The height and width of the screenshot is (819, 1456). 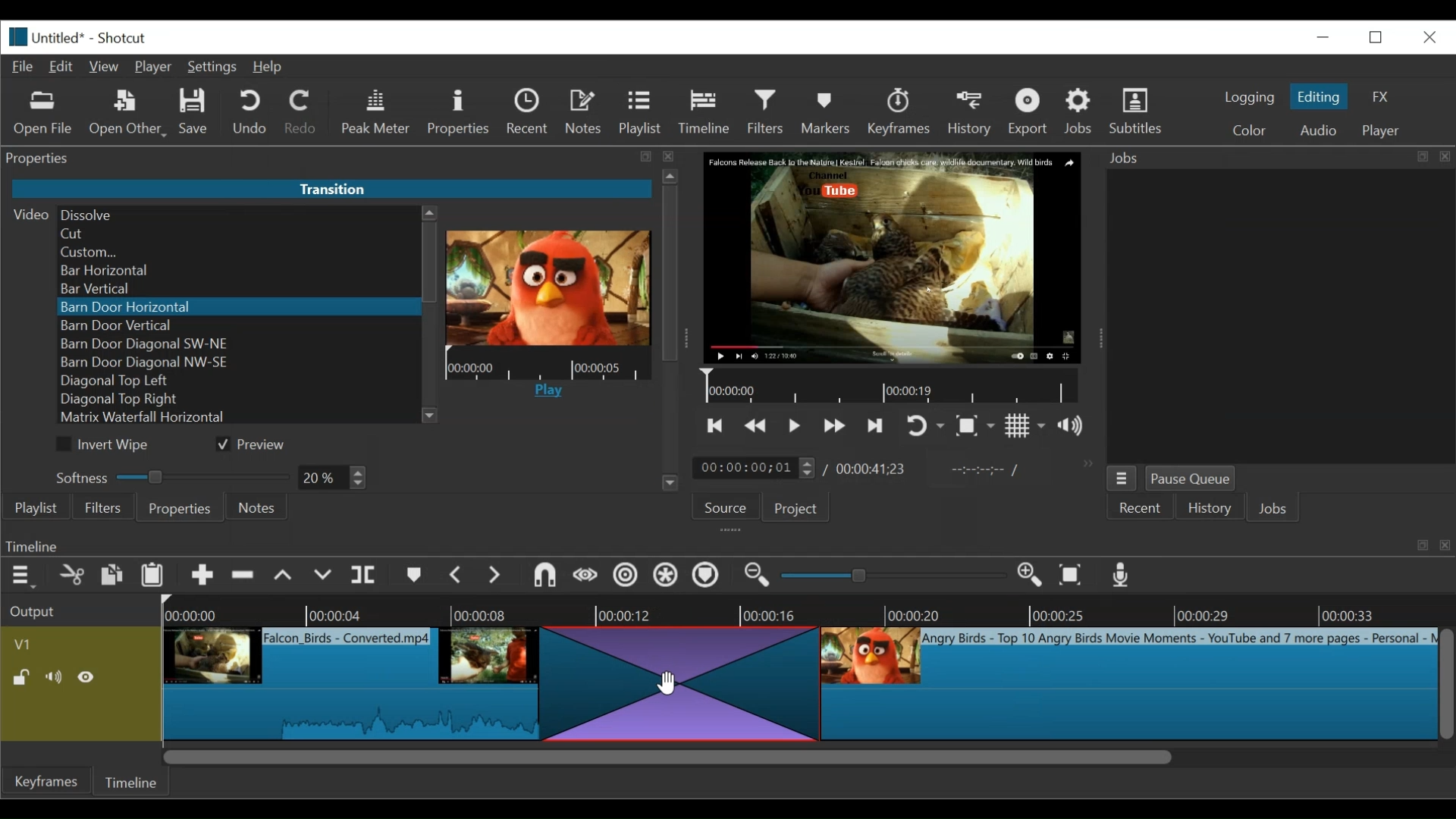 What do you see at coordinates (875, 425) in the screenshot?
I see `Skip to the next point` at bounding box center [875, 425].